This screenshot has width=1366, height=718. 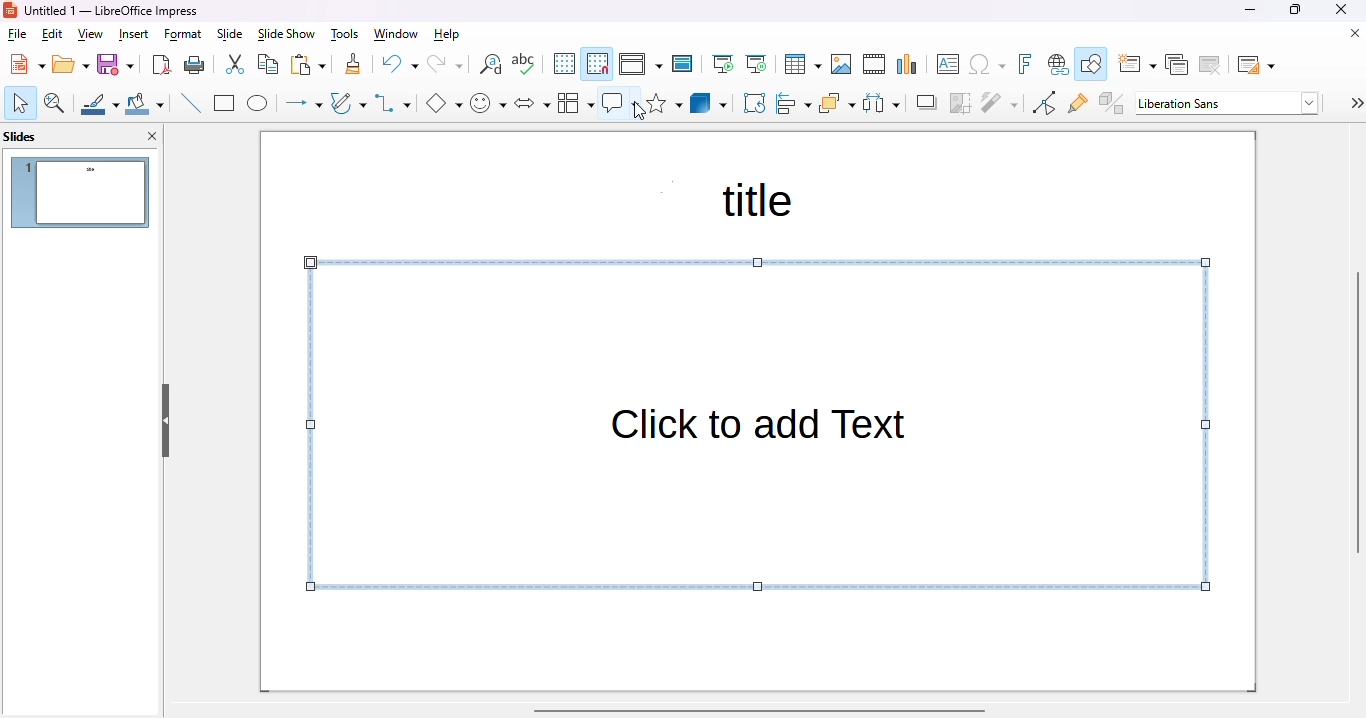 What do you see at coordinates (99, 103) in the screenshot?
I see `line color` at bounding box center [99, 103].